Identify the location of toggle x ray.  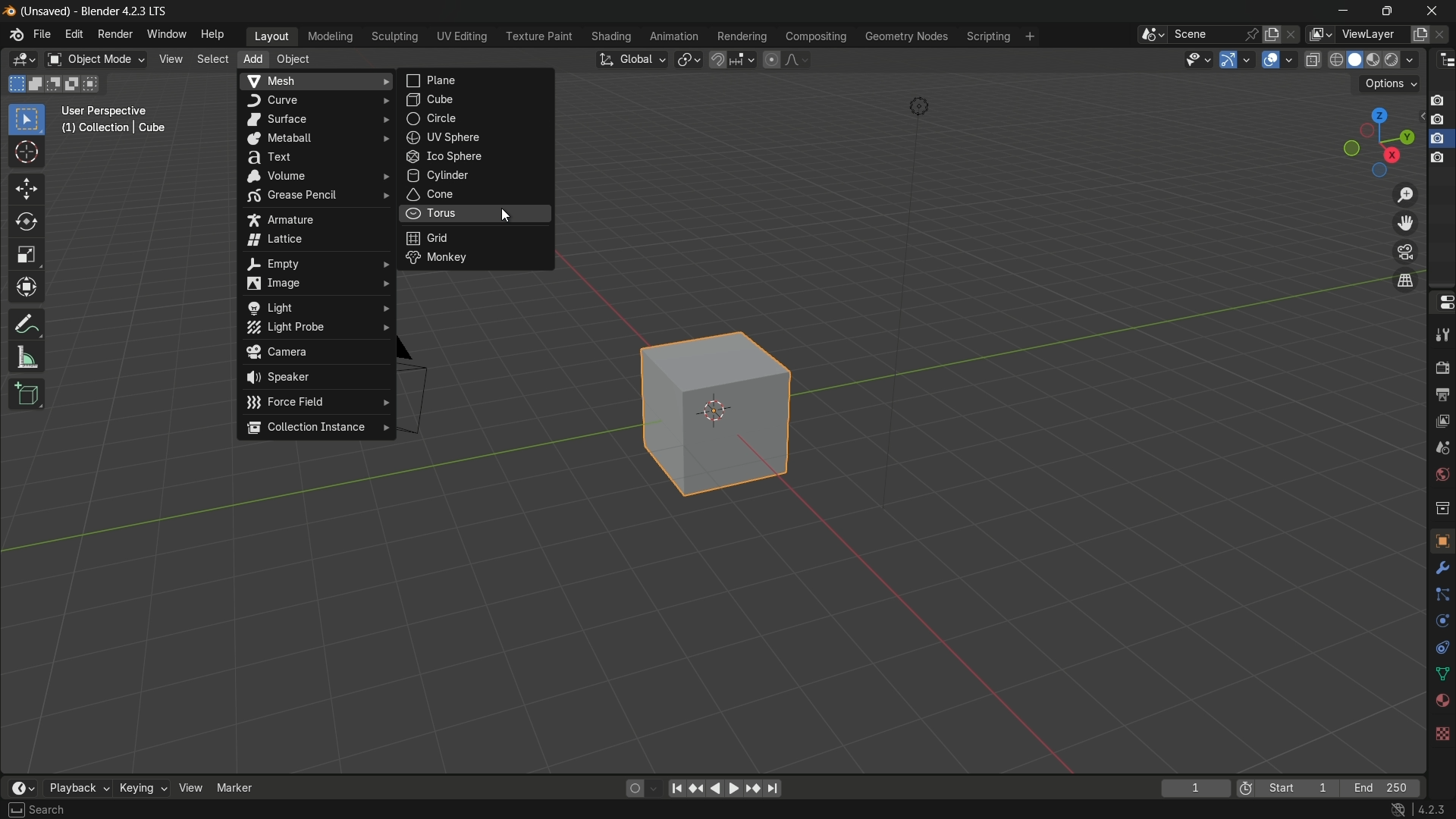
(1313, 59).